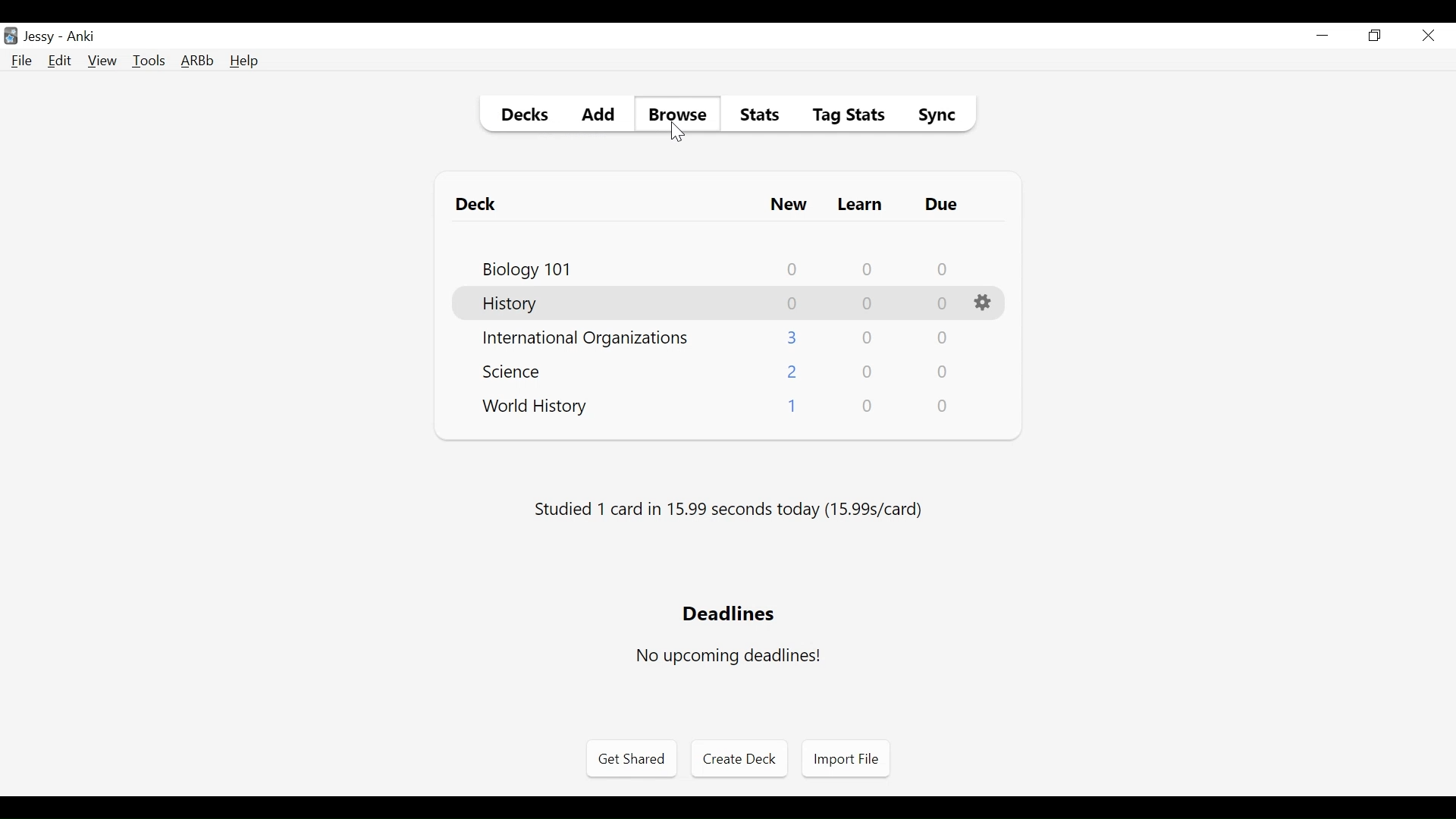  I want to click on Edit, so click(61, 61).